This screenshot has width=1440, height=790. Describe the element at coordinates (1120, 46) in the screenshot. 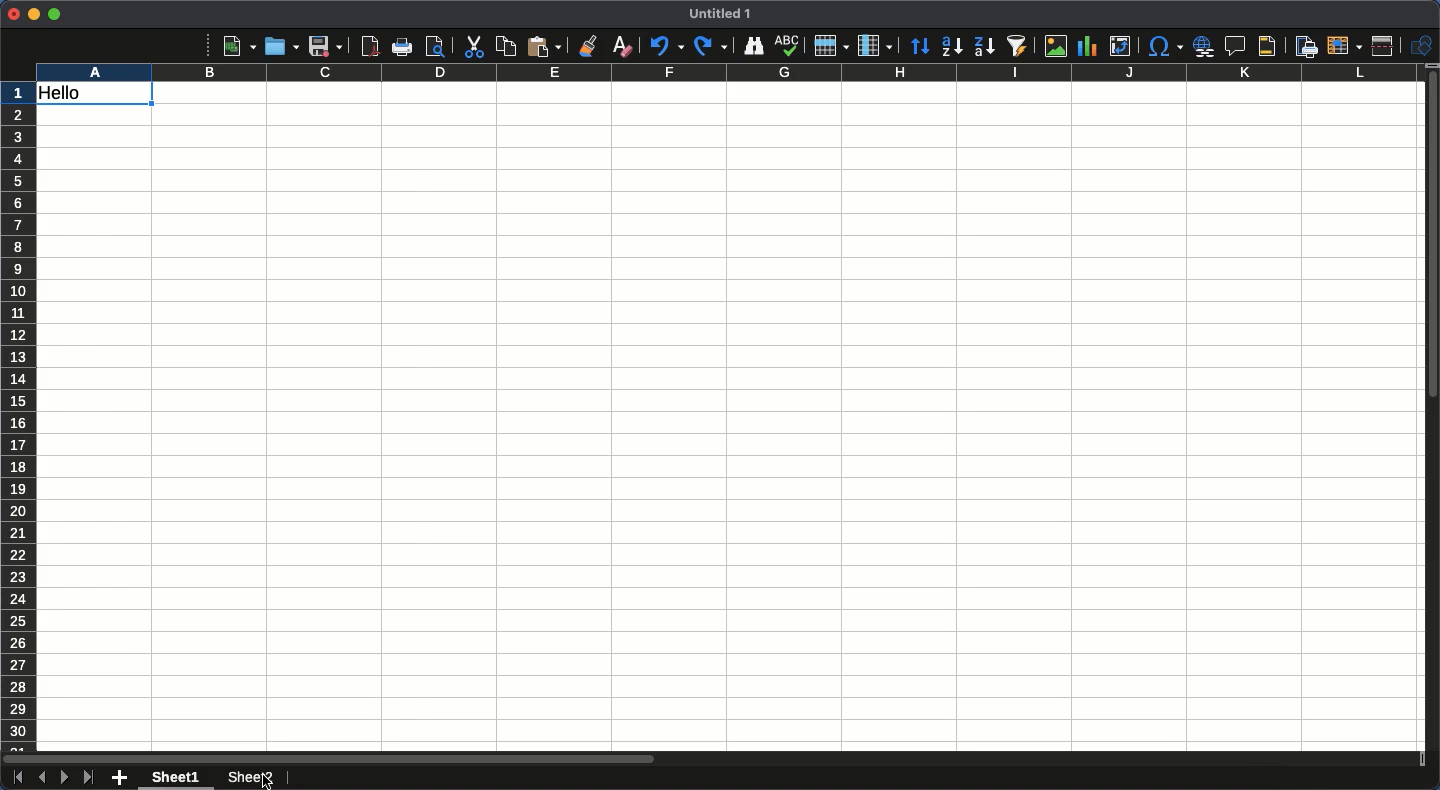

I see `Pivot table` at that location.